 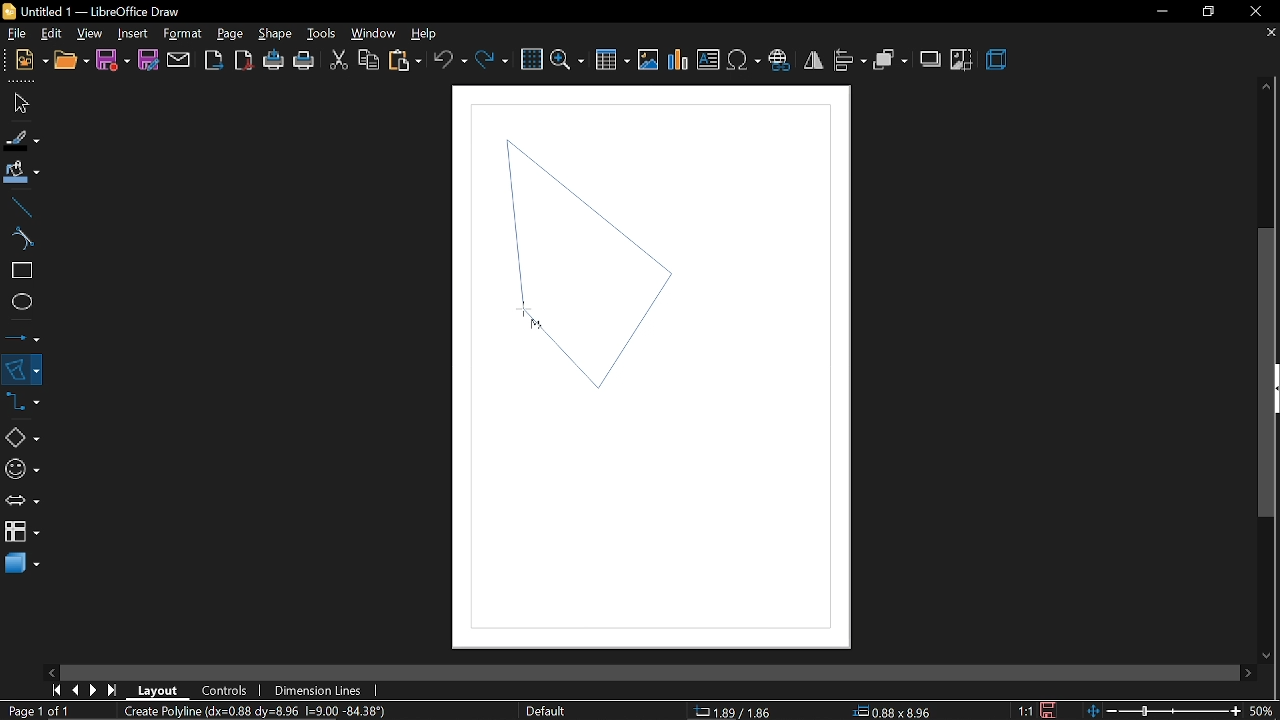 What do you see at coordinates (1162, 12) in the screenshot?
I see `minimize` at bounding box center [1162, 12].